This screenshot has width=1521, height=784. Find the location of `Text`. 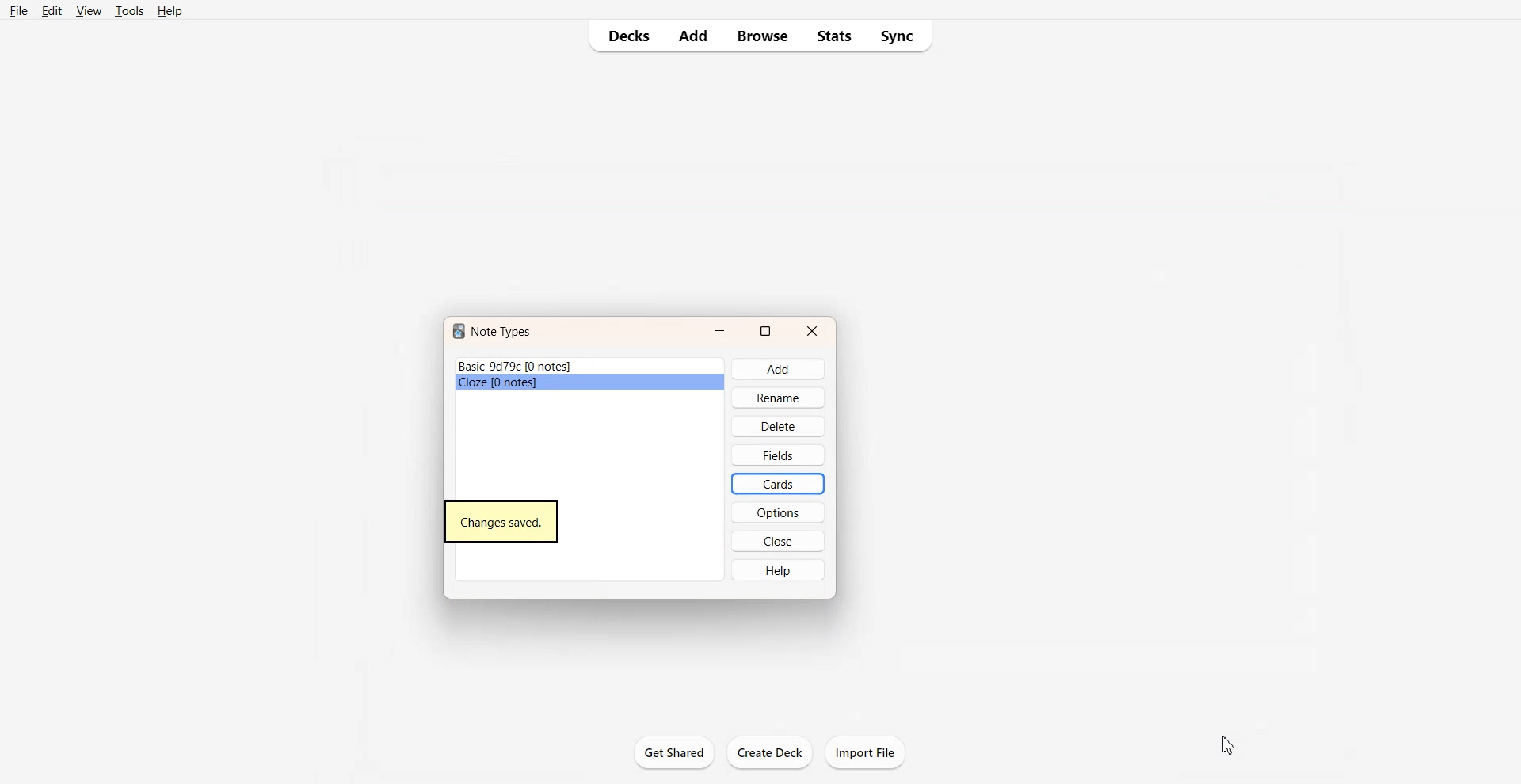

Text is located at coordinates (501, 523).